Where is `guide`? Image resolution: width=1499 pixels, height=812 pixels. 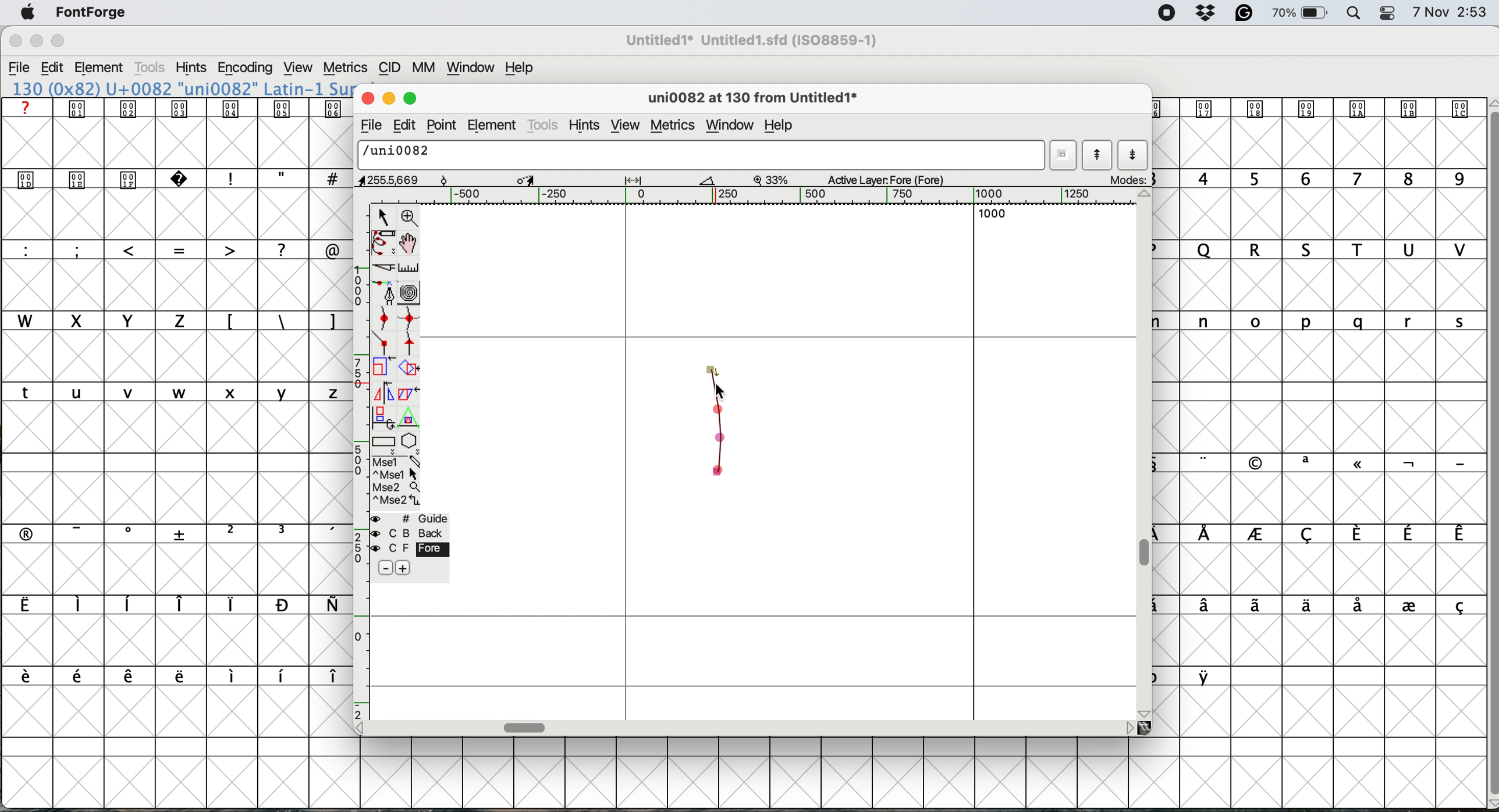 guide is located at coordinates (413, 518).